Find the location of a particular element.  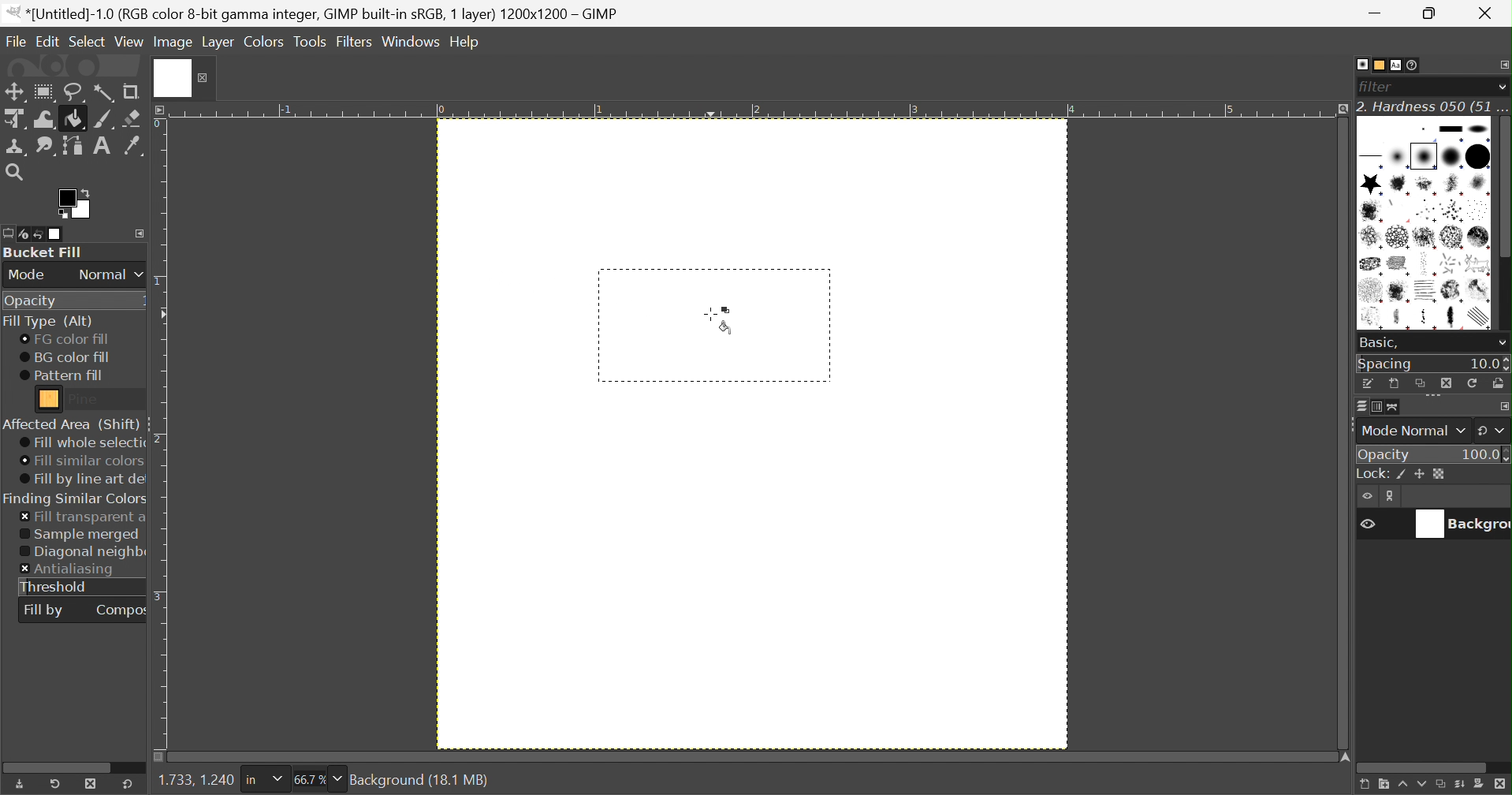

Charcoal is located at coordinates (1398, 264).